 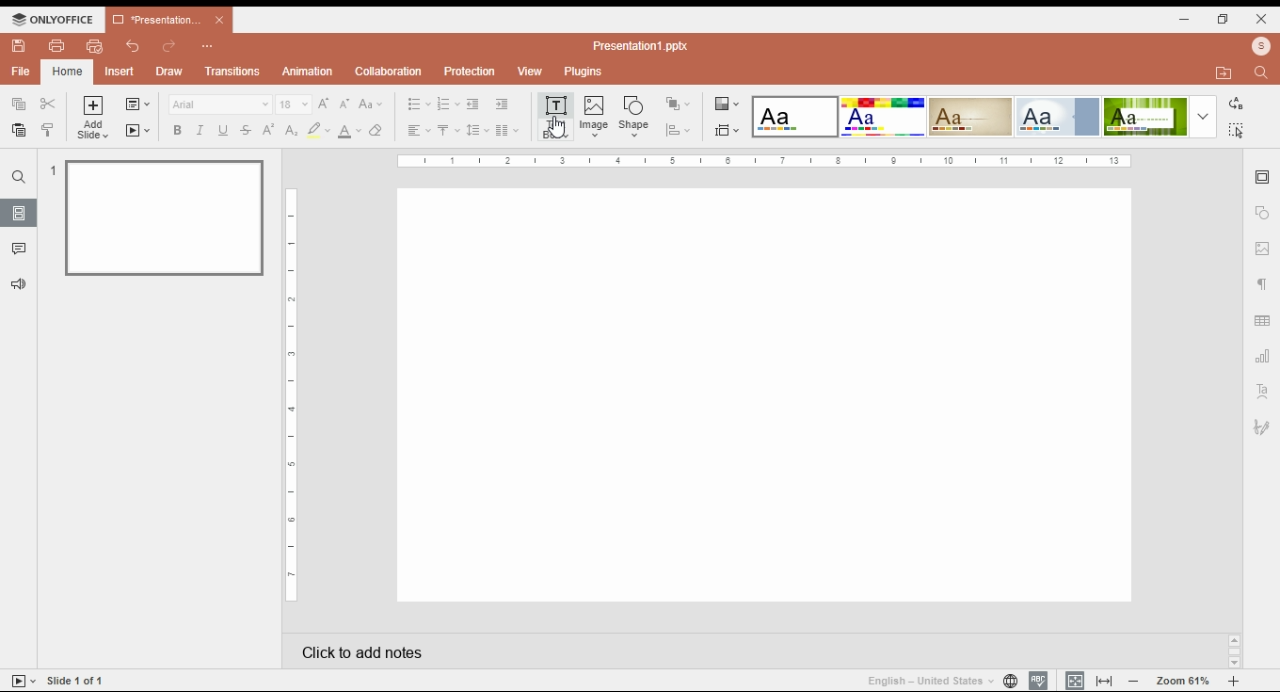 What do you see at coordinates (1145, 117) in the screenshot?
I see `color theme` at bounding box center [1145, 117].